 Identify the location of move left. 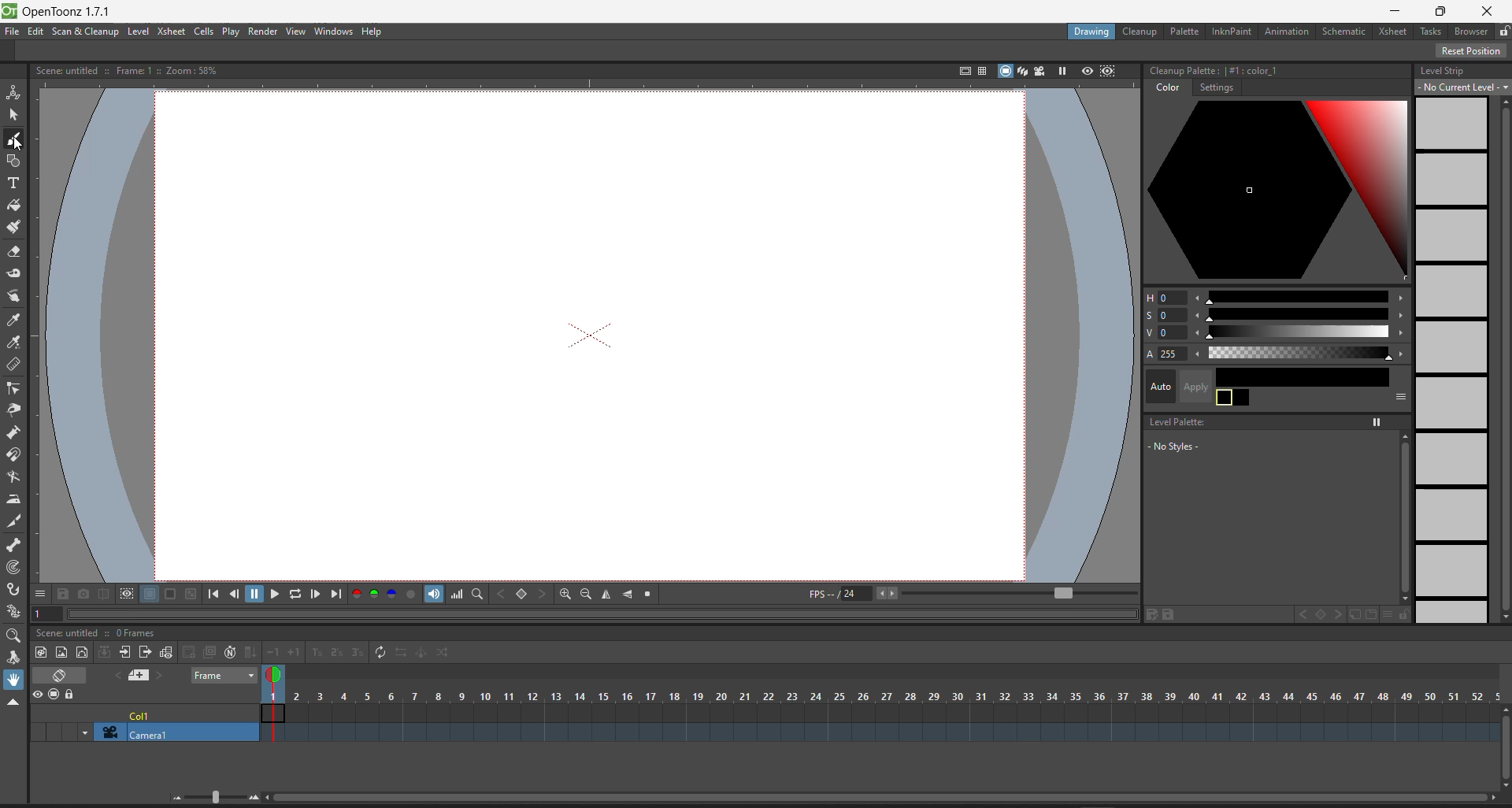
(1199, 332).